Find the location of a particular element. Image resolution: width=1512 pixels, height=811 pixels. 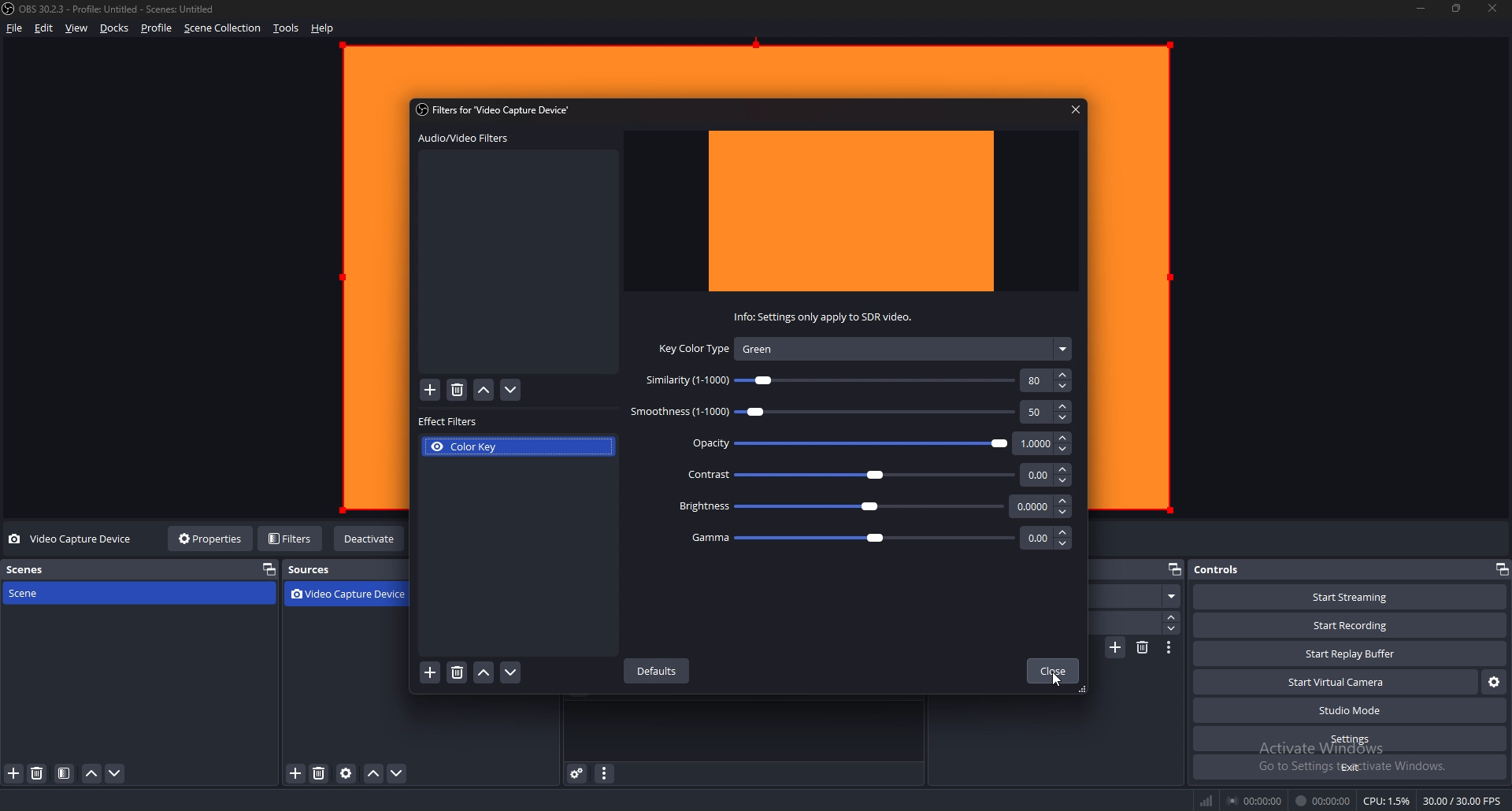

remove source is located at coordinates (319, 775).